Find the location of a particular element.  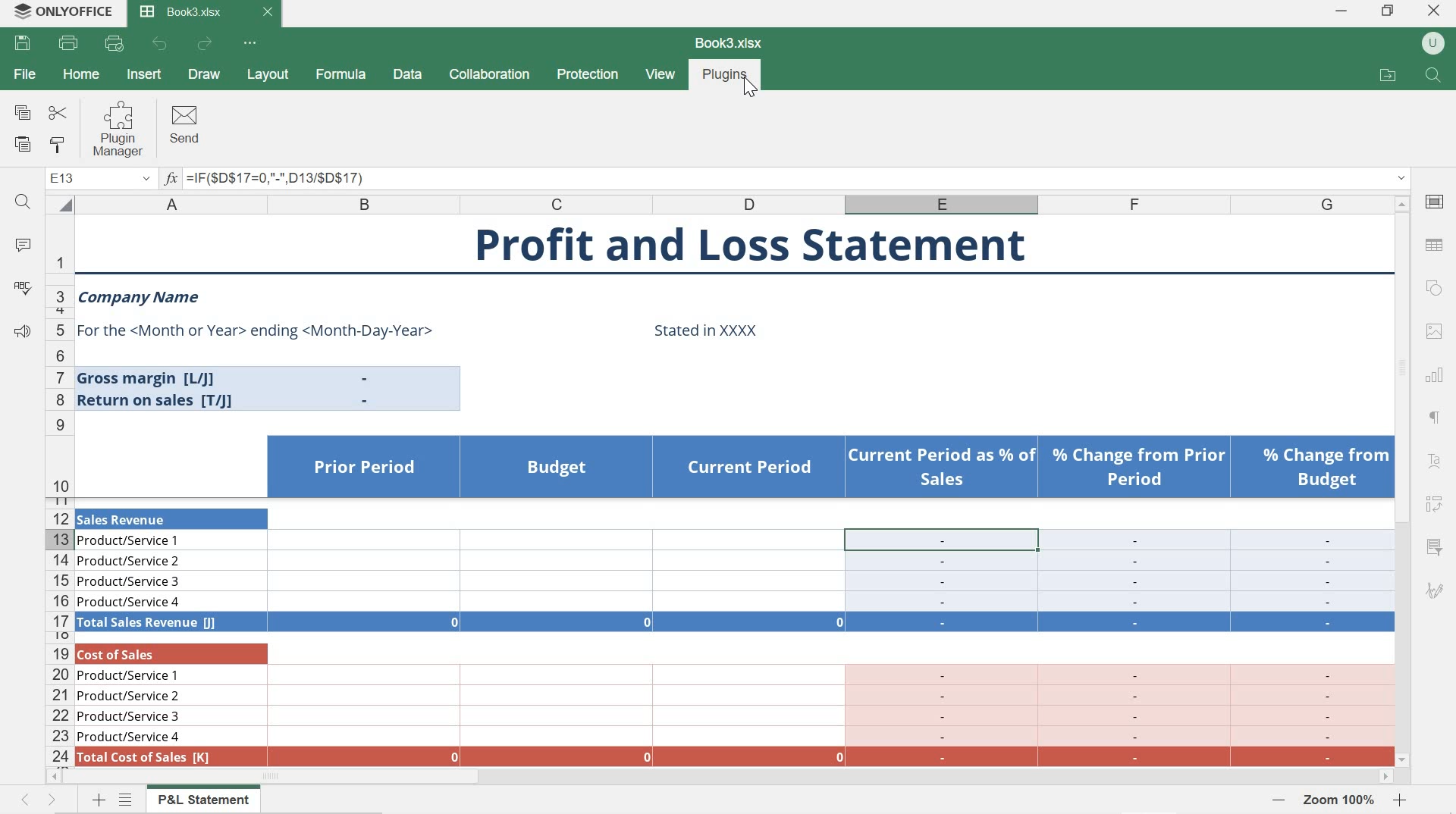

quick print is located at coordinates (115, 44).